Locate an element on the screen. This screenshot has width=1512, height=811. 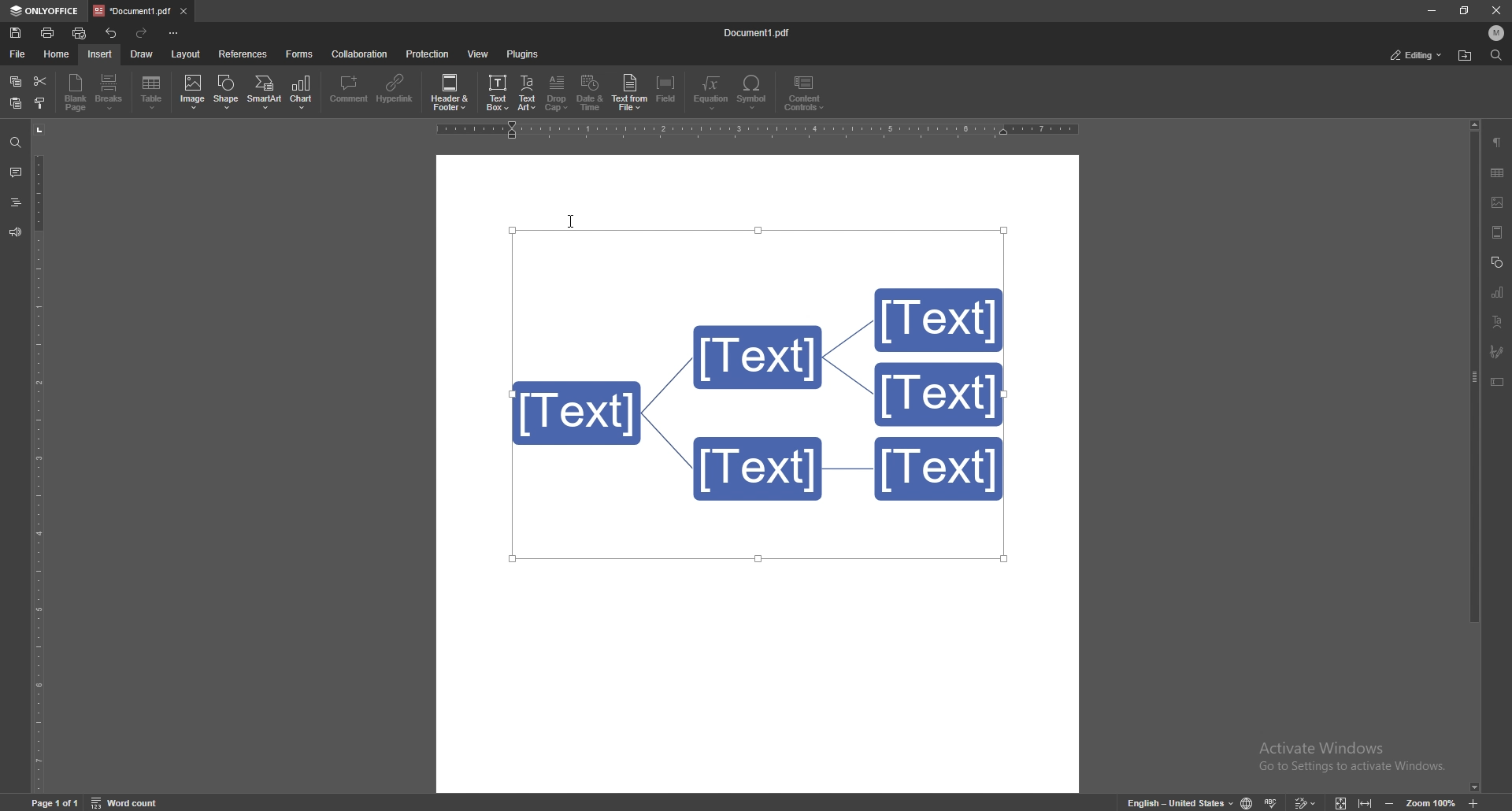
collaboration is located at coordinates (360, 54).